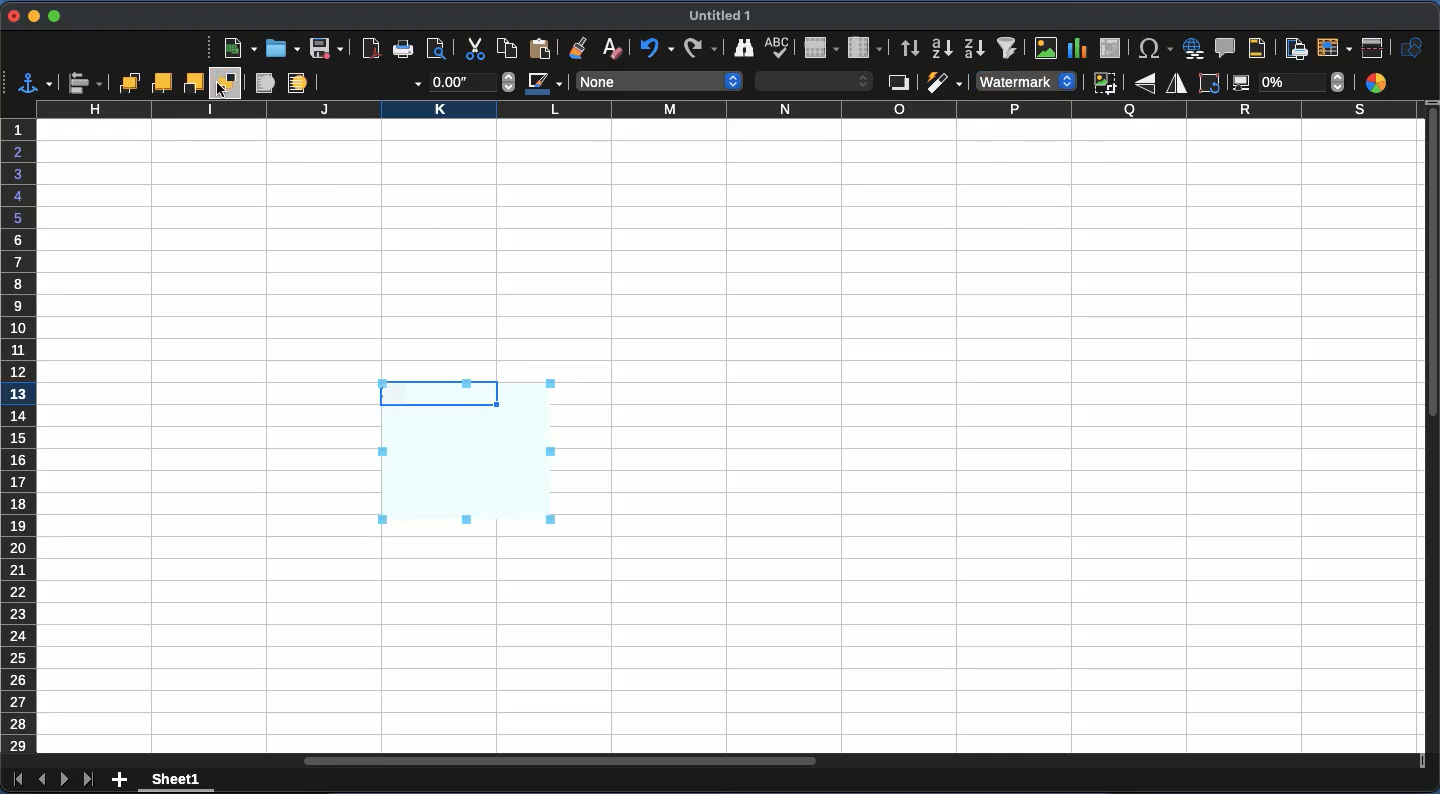 This screenshot has width=1440, height=794. What do you see at coordinates (1193, 48) in the screenshot?
I see `hyperlink` at bounding box center [1193, 48].